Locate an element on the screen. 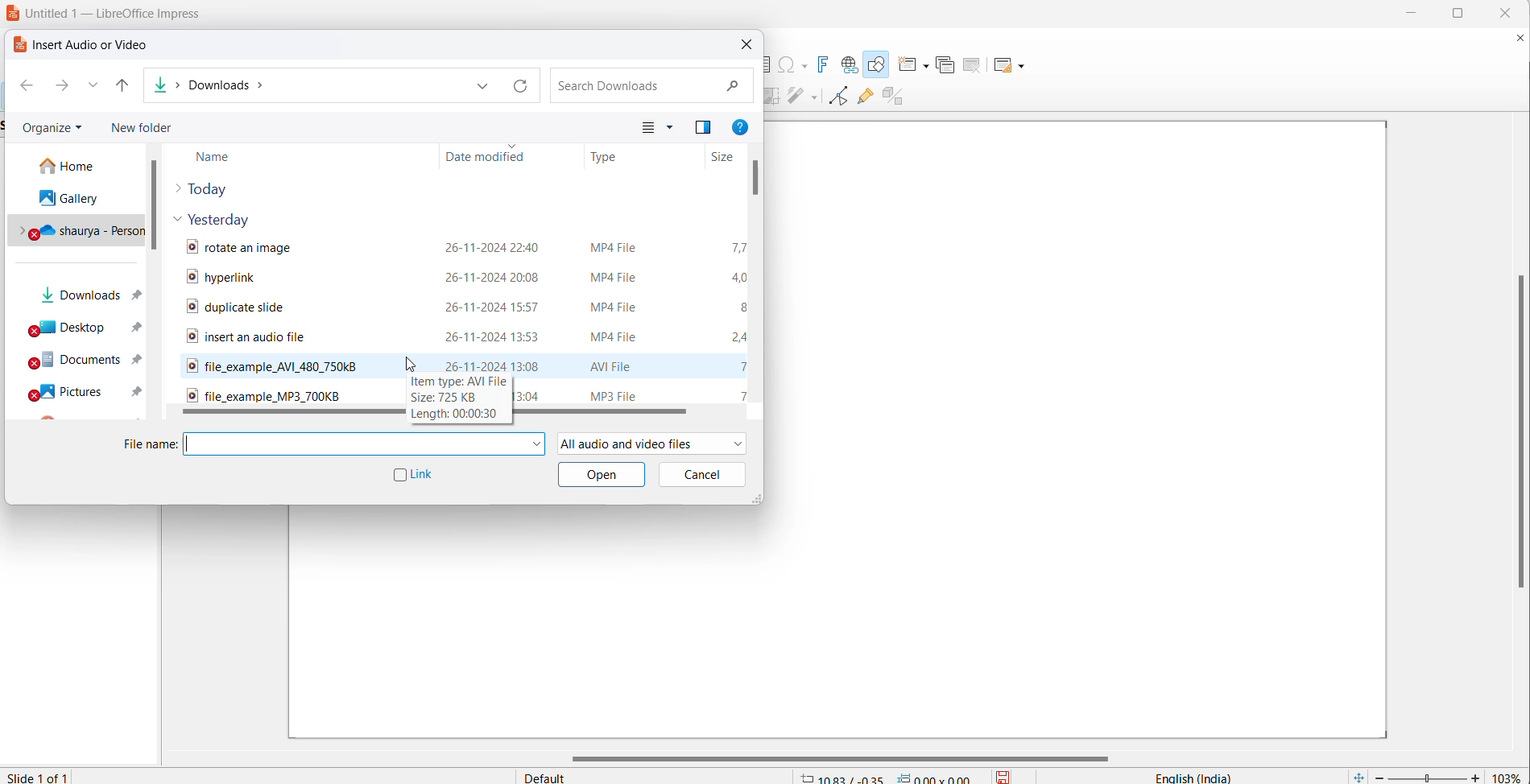  new slide options is located at coordinates (928, 65).